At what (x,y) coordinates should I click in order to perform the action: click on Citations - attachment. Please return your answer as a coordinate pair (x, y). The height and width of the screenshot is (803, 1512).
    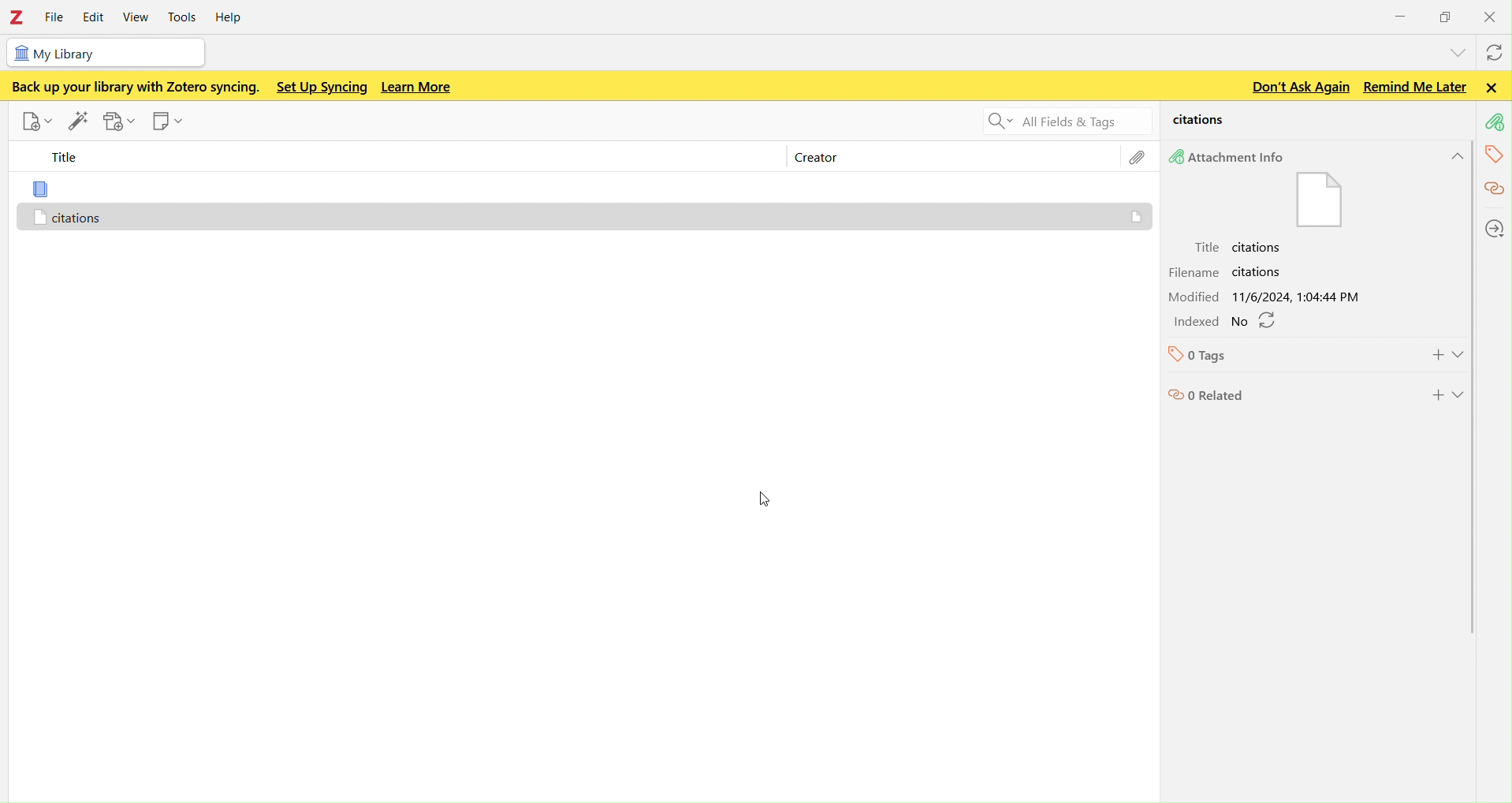
    Looking at the image, I should click on (586, 219).